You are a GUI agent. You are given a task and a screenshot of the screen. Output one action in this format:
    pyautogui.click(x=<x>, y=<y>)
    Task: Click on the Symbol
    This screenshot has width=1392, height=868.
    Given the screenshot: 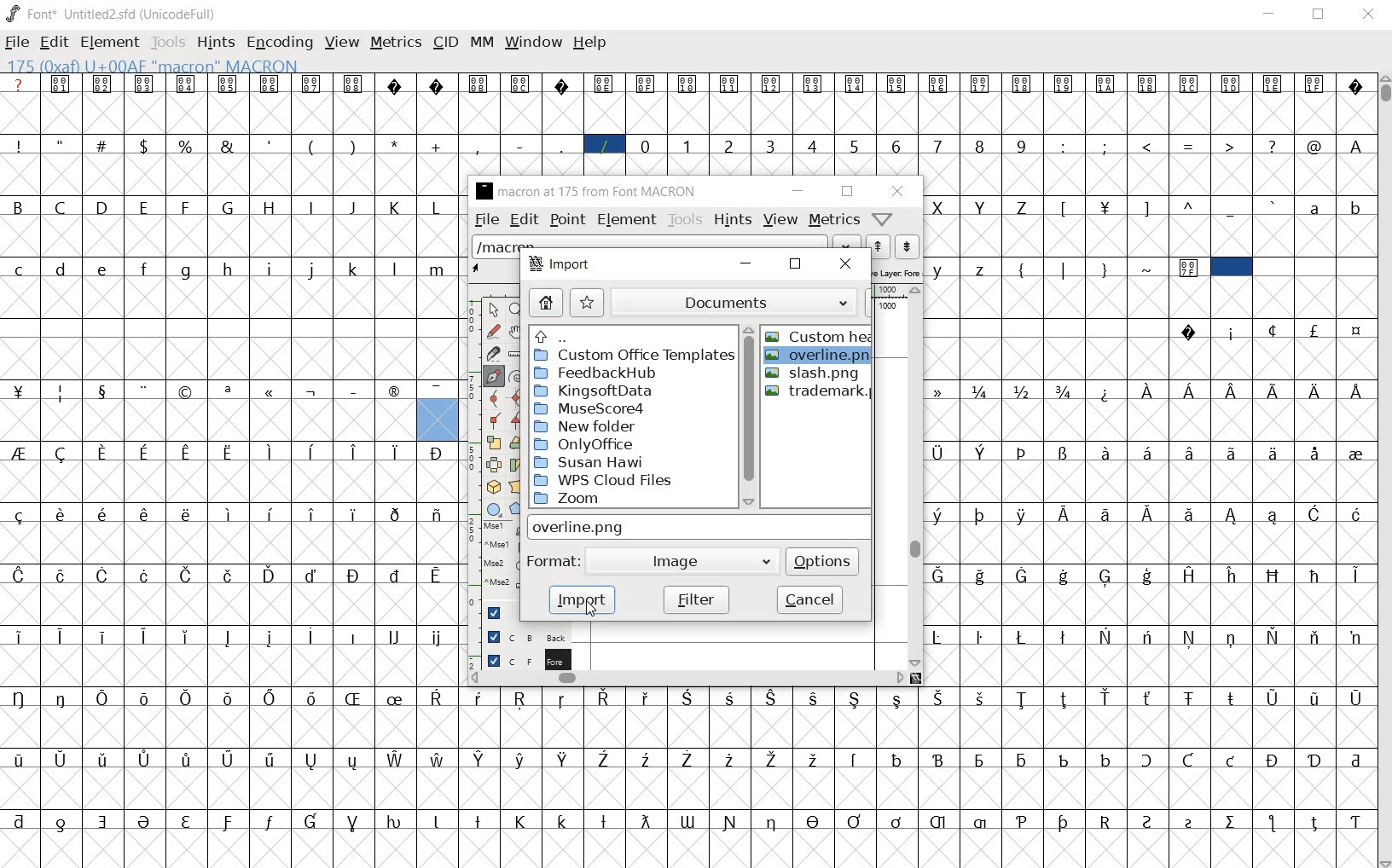 What is the action you would take?
    pyautogui.click(x=397, y=575)
    